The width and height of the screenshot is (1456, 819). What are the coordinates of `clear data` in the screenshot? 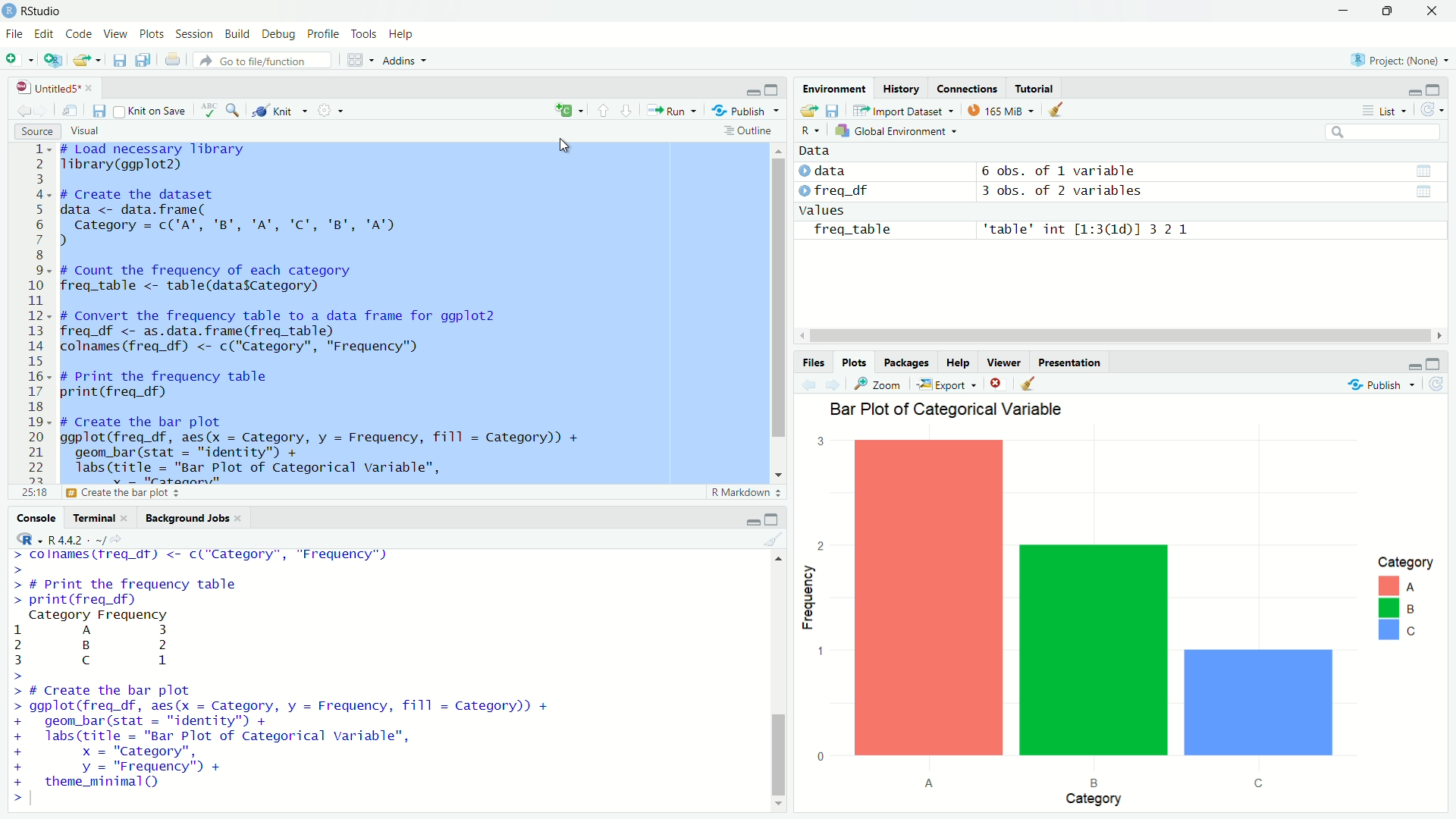 It's located at (1058, 109).